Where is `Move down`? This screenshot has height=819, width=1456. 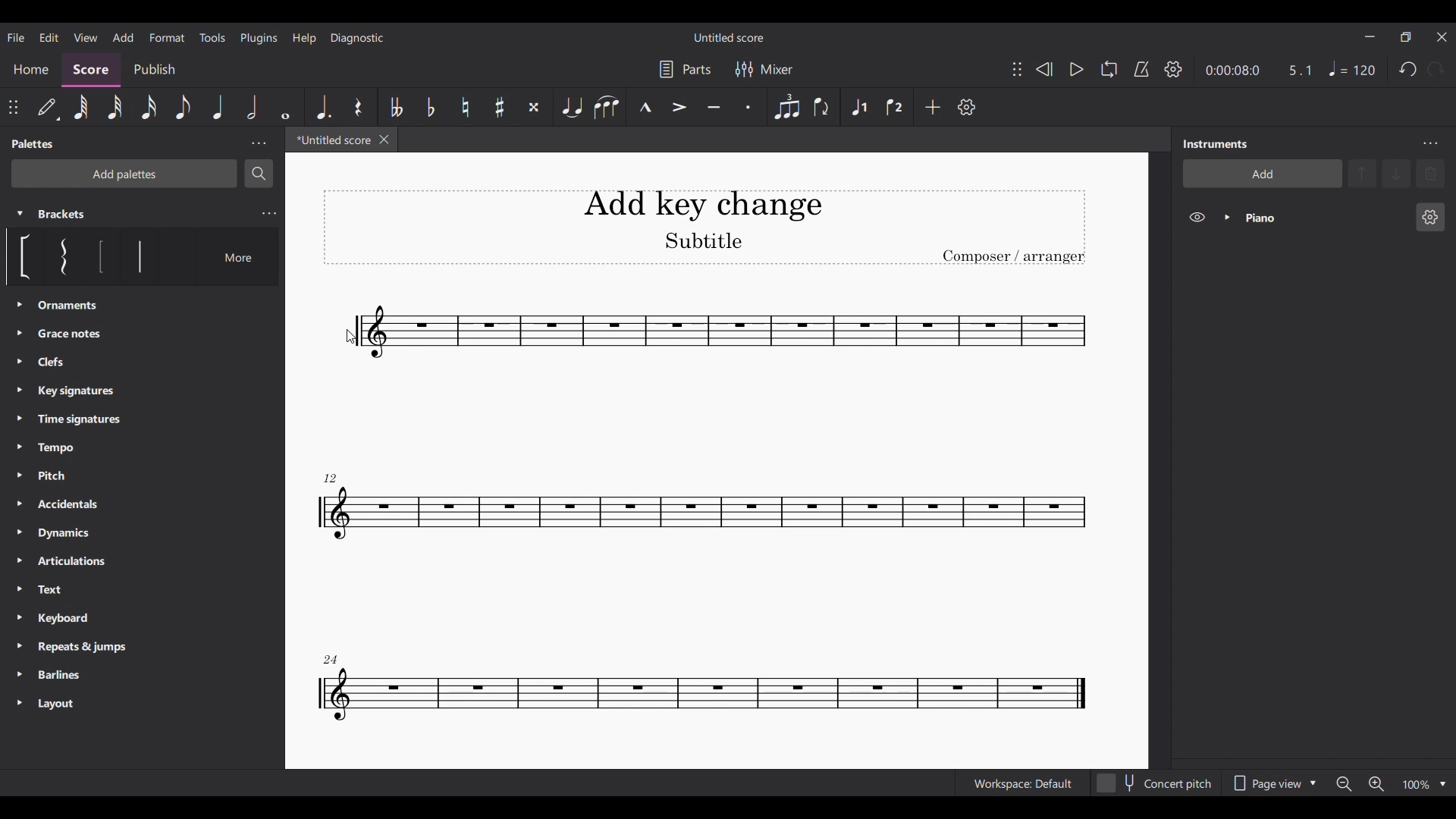
Move down is located at coordinates (1397, 174).